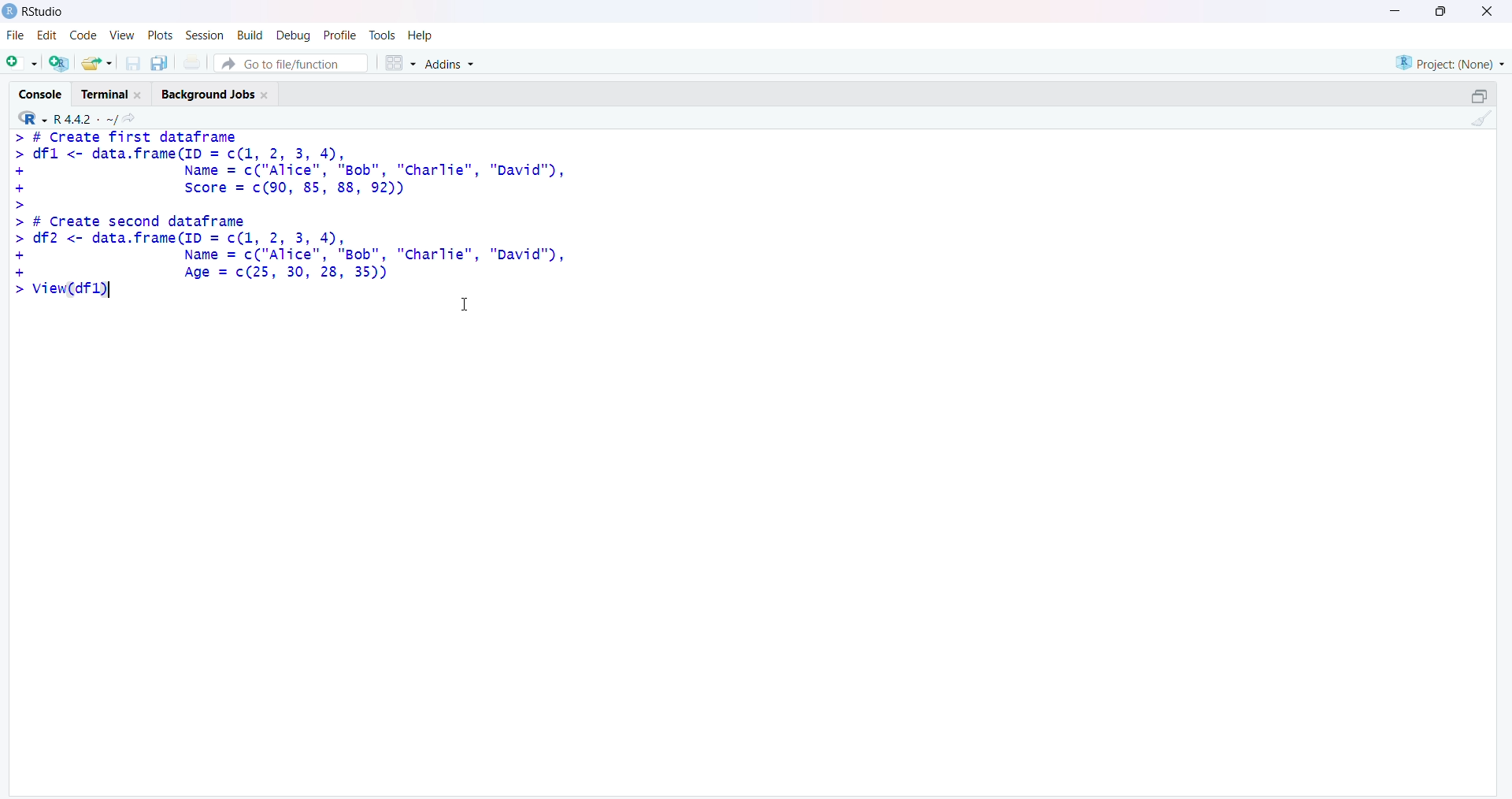 This screenshot has height=799, width=1512. What do you see at coordinates (17, 35) in the screenshot?
I see `file` at bounding box center [17, 35].